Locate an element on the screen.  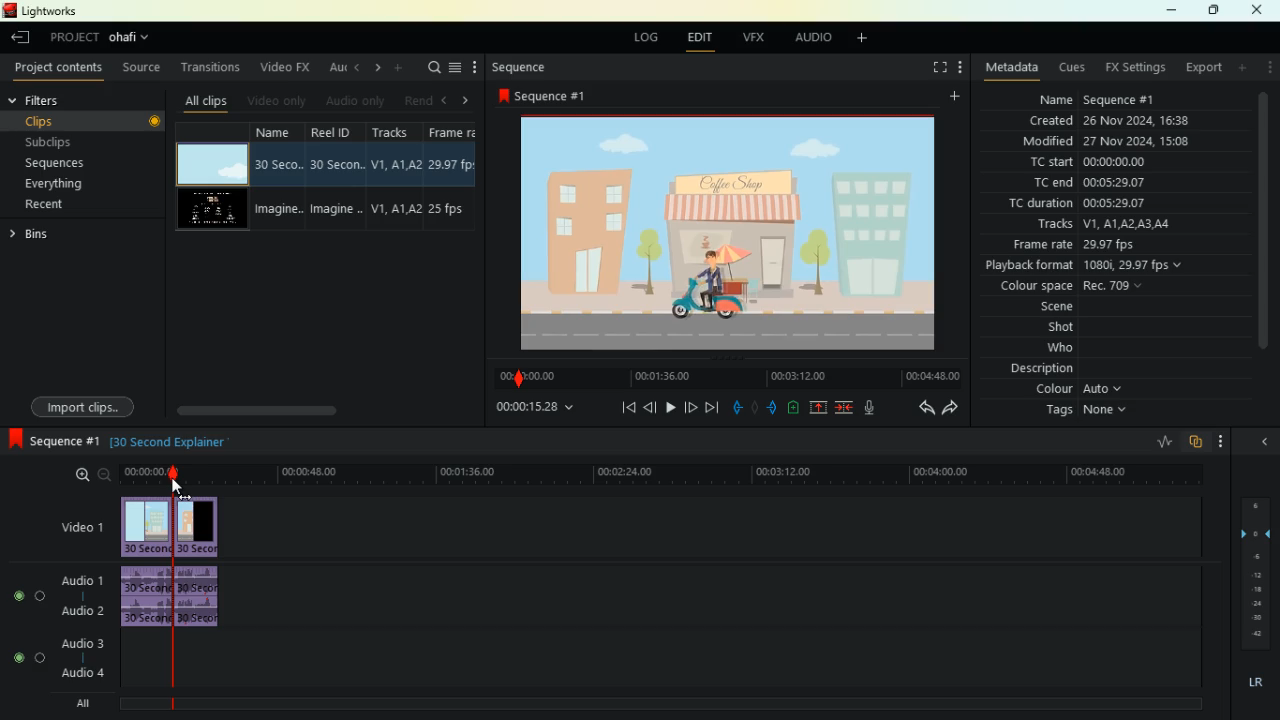
tc end is located at coordinates (1051, 183).